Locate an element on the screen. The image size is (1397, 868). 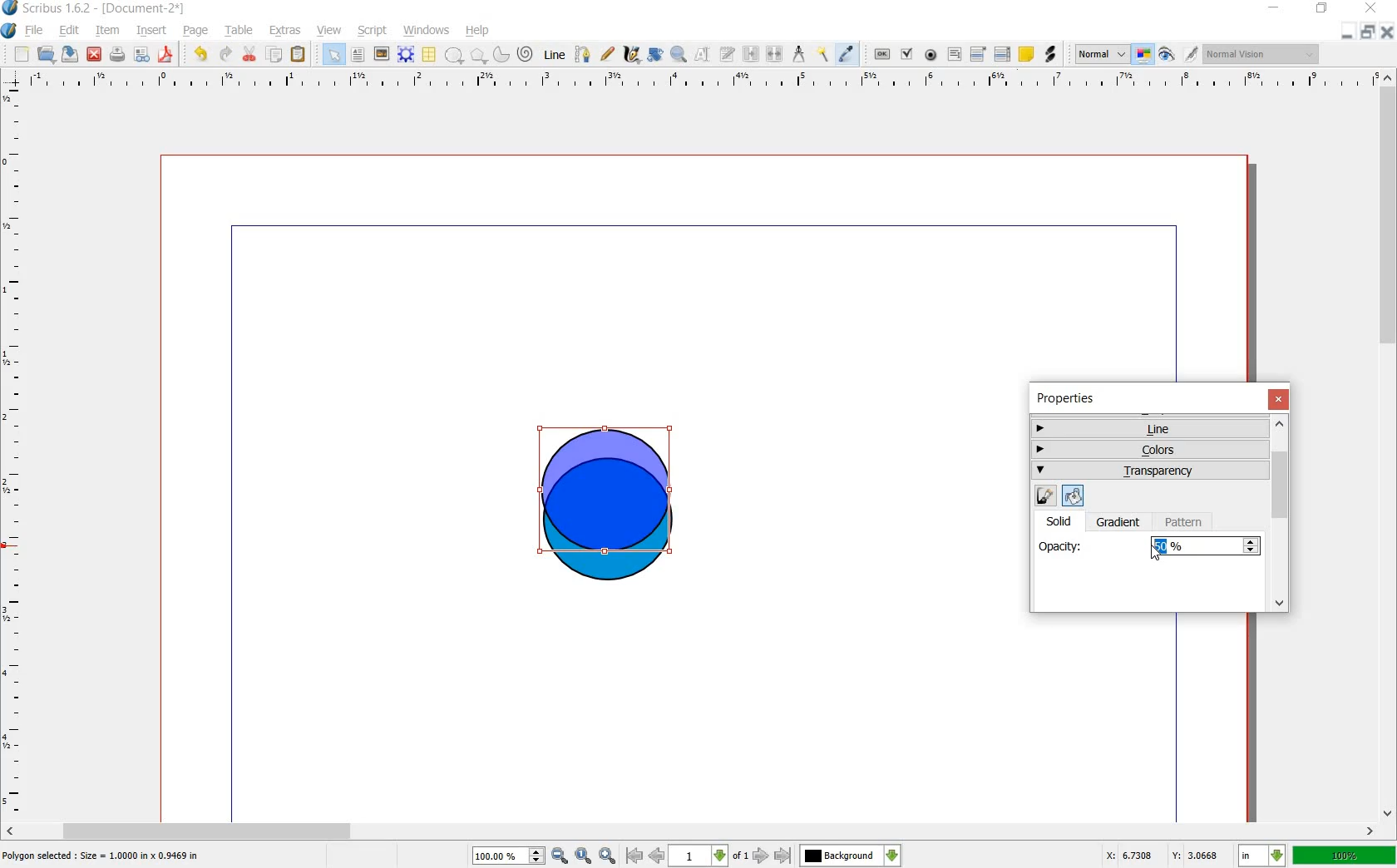
go to first or previous page is located at coordinates (645, 856).